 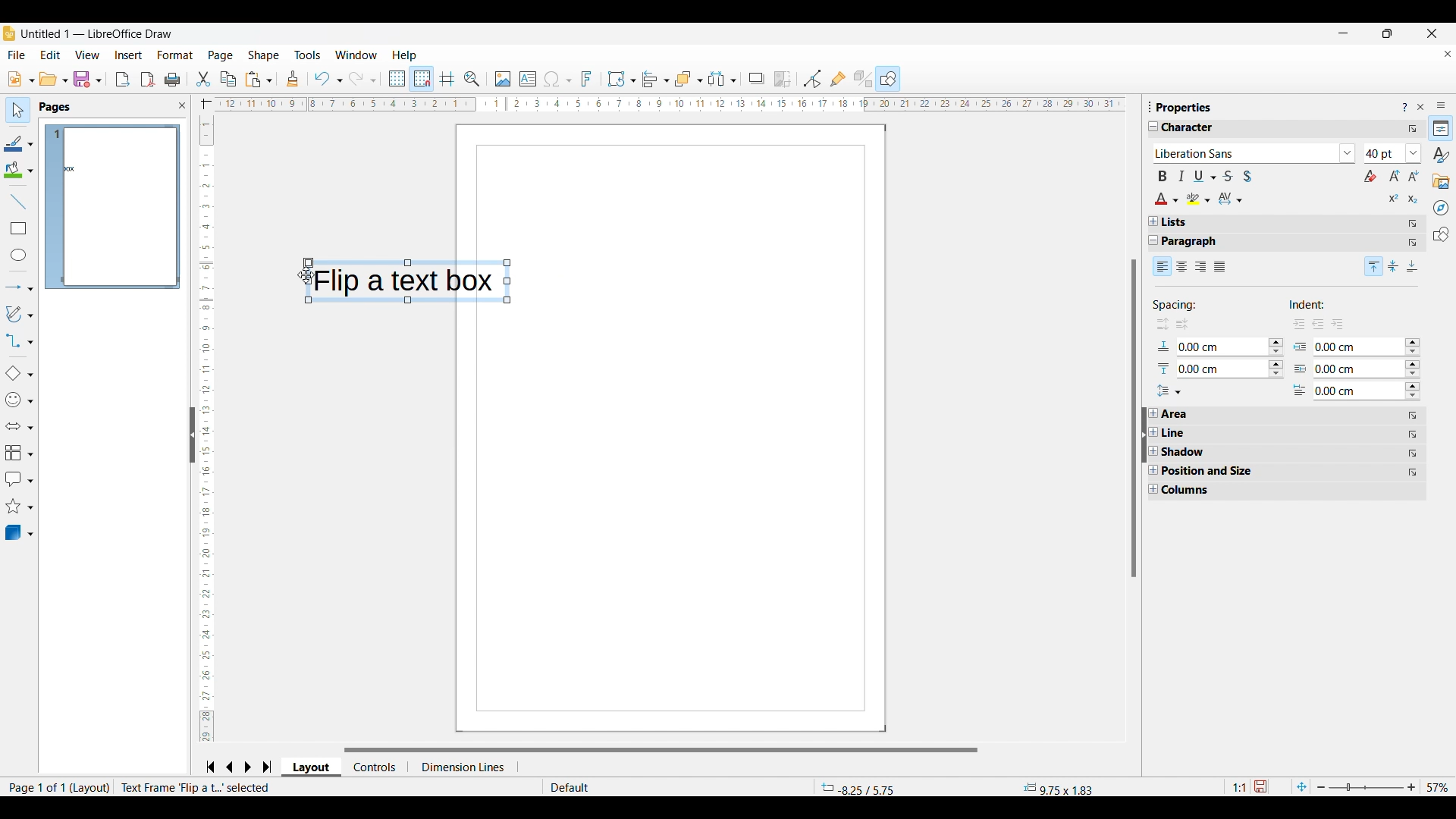 I want to click on File menu, so click(x=16, y=55).